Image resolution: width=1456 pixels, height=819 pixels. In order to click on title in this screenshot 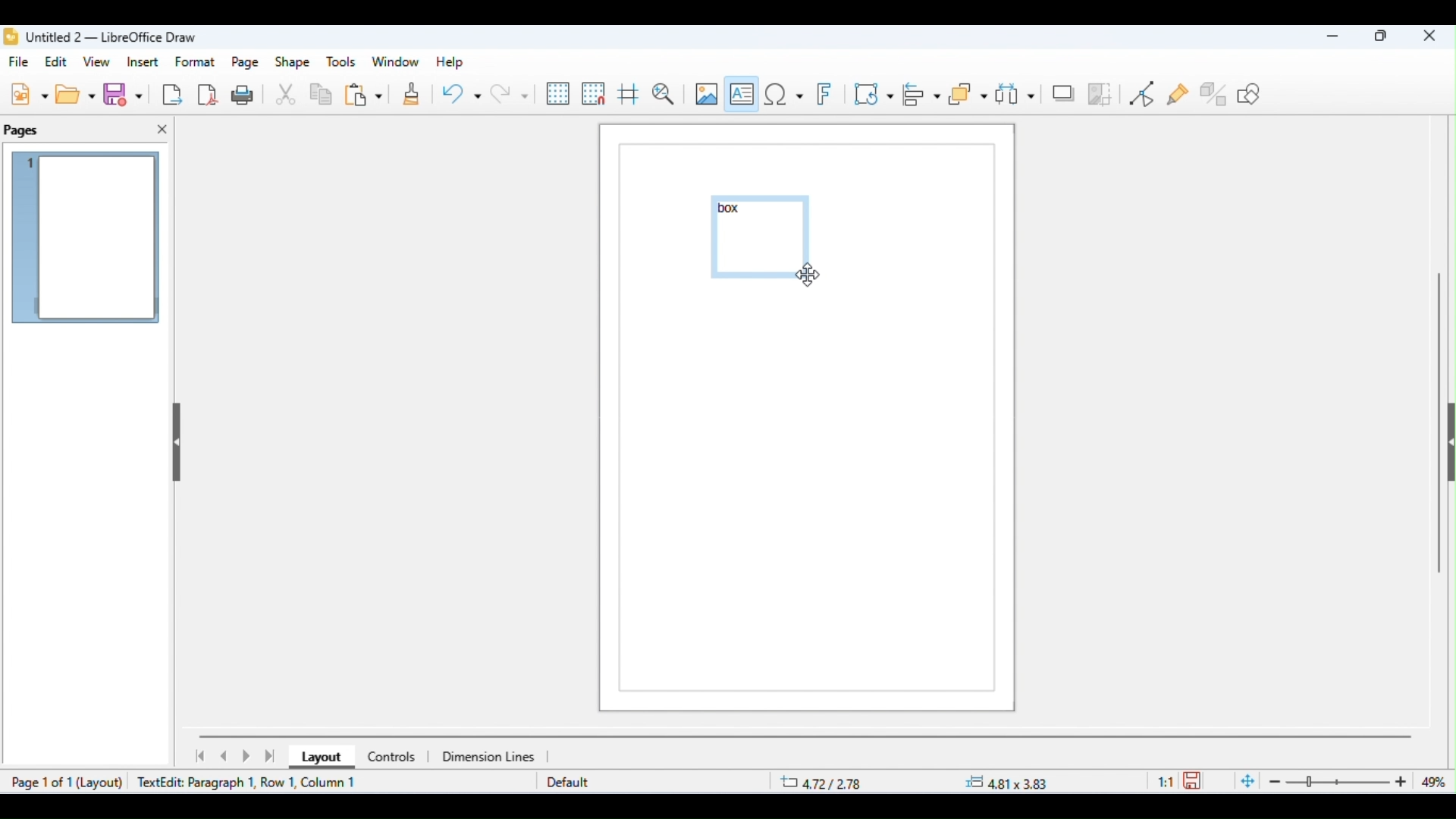, I will do `click(101, 37)`.